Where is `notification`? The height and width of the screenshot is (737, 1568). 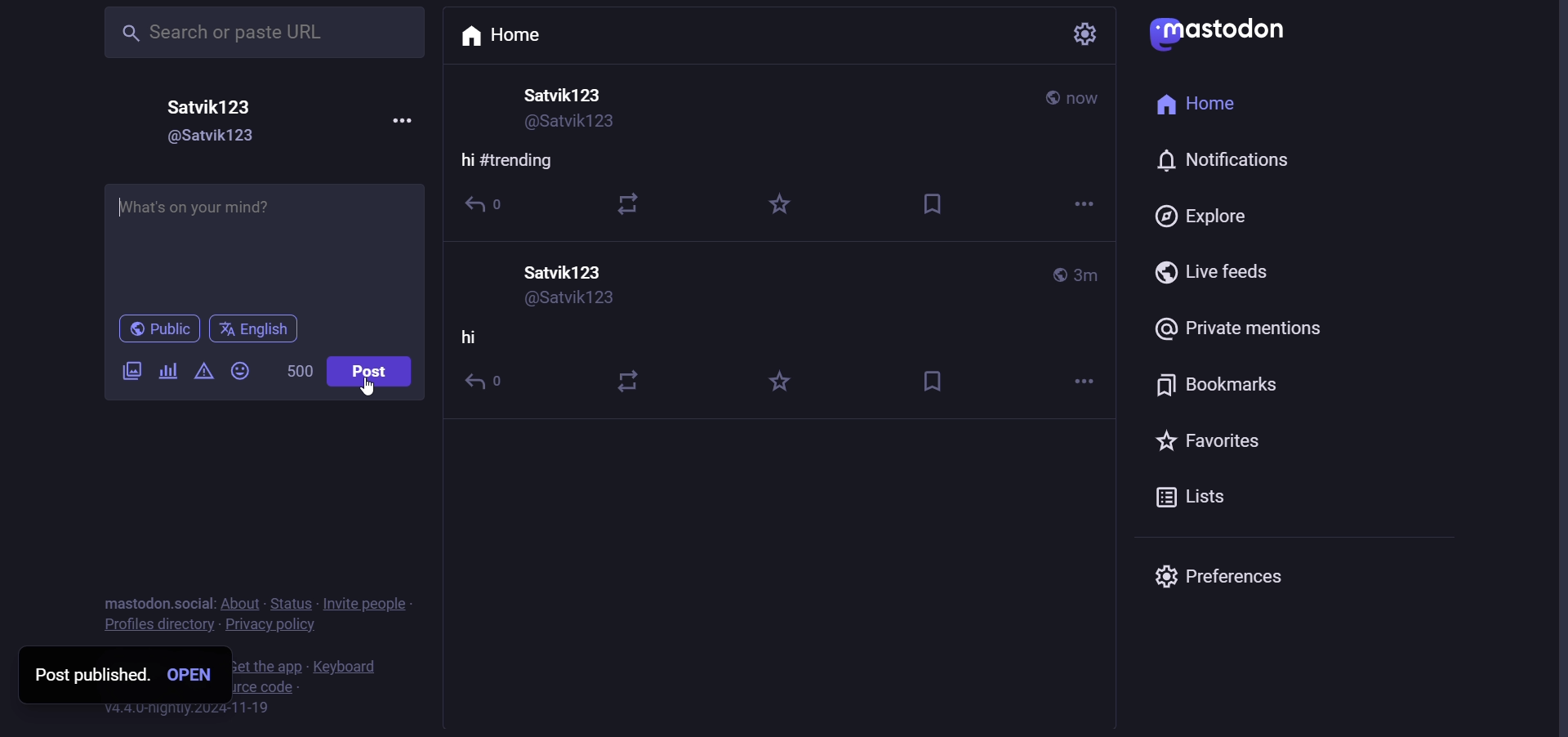
notification is located at coordinates (1218, 161).